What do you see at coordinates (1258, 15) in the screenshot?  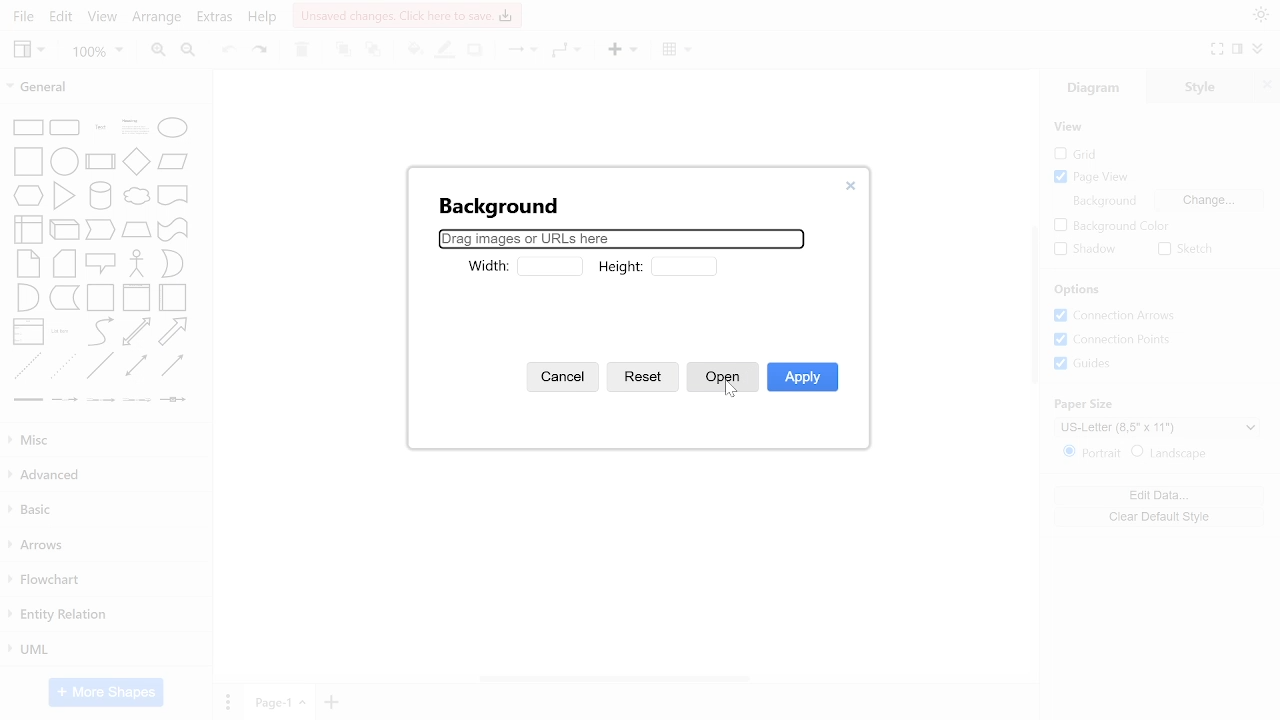 I see `appearance` at bounding box center [1258, 15].